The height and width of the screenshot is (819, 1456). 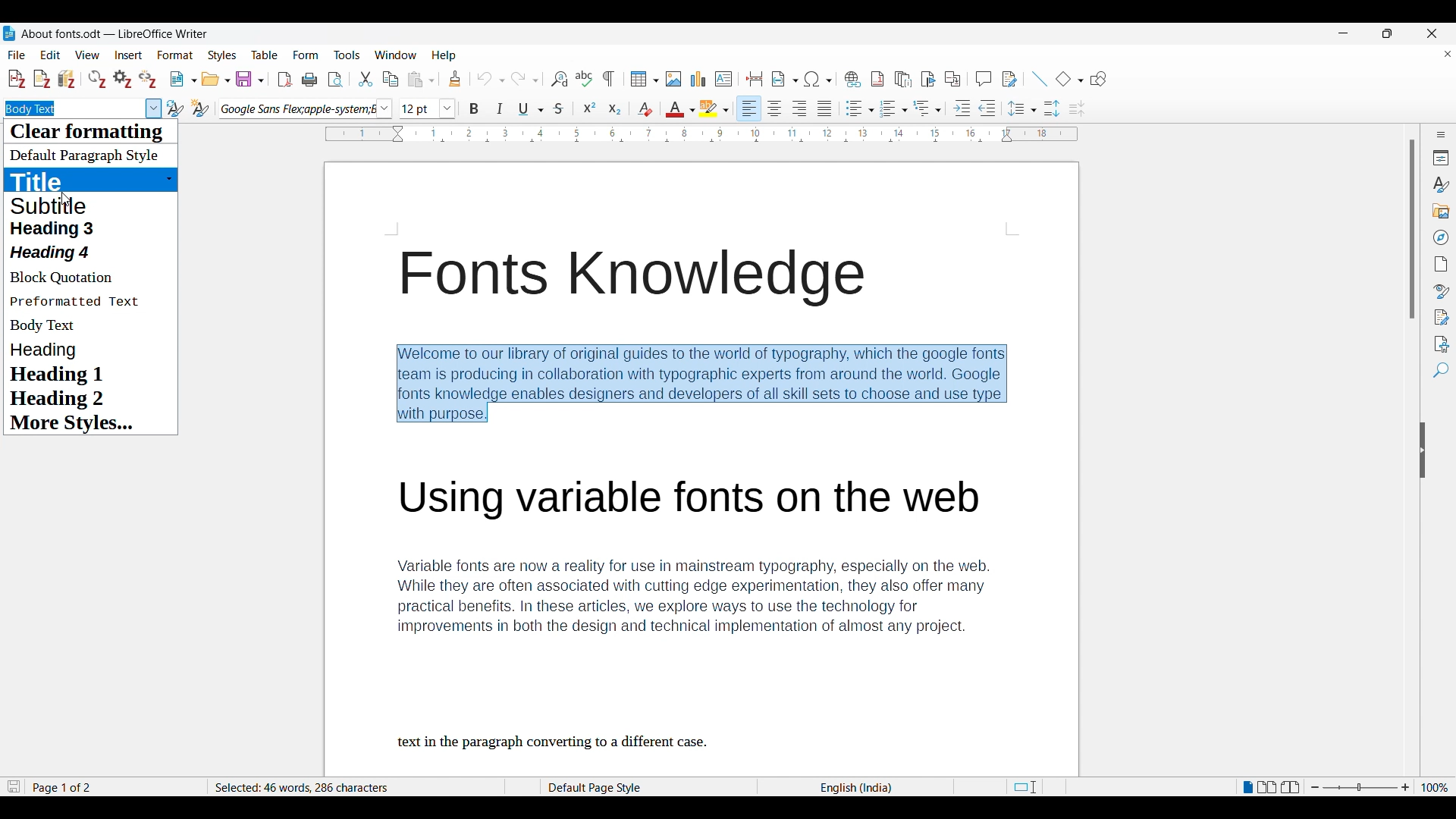 I want to click on Insert endnote, so click(x=903, y=79).